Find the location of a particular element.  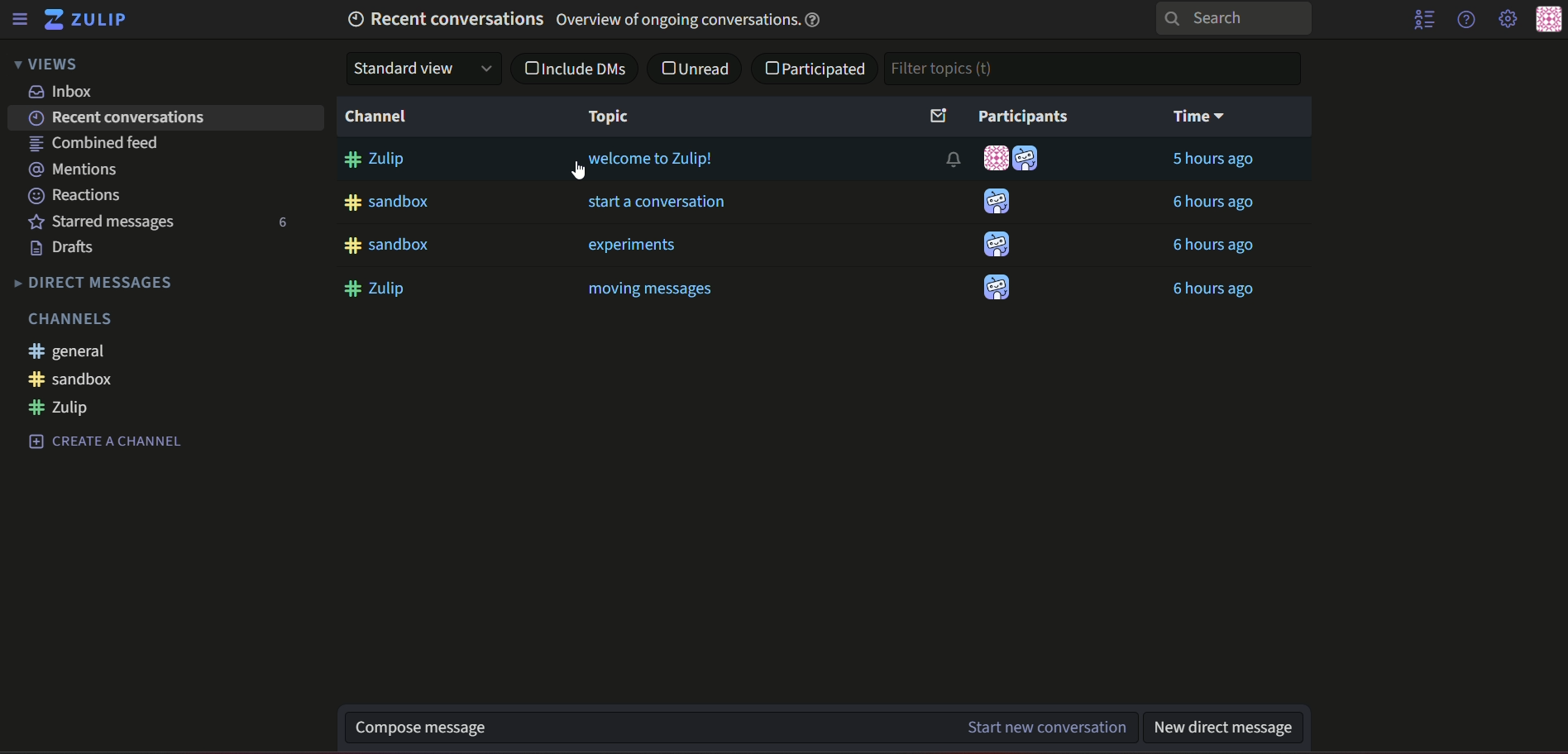

views is located at coordinates (50, 64).